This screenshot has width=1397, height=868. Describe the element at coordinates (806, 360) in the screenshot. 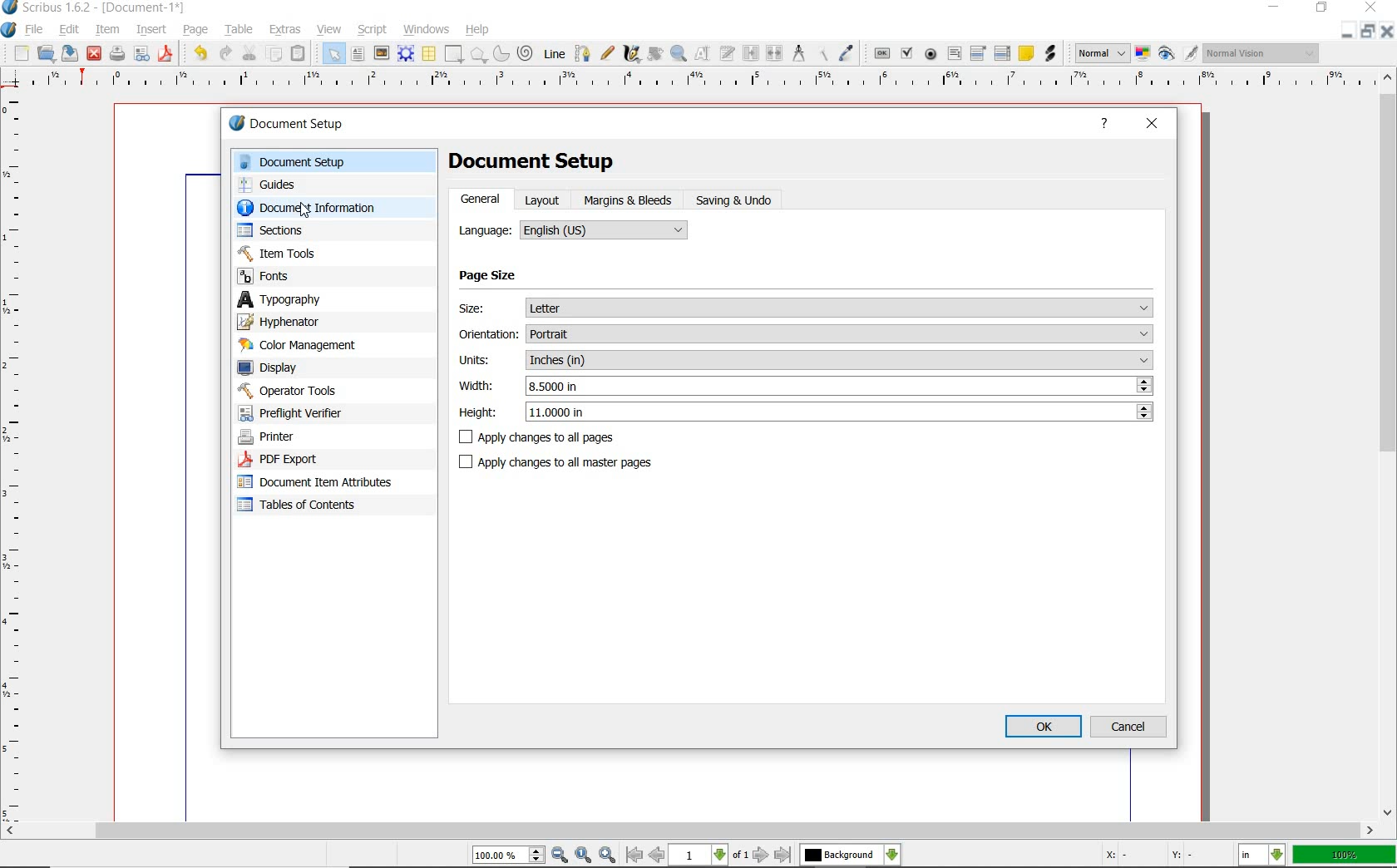

I see `units` at that location.